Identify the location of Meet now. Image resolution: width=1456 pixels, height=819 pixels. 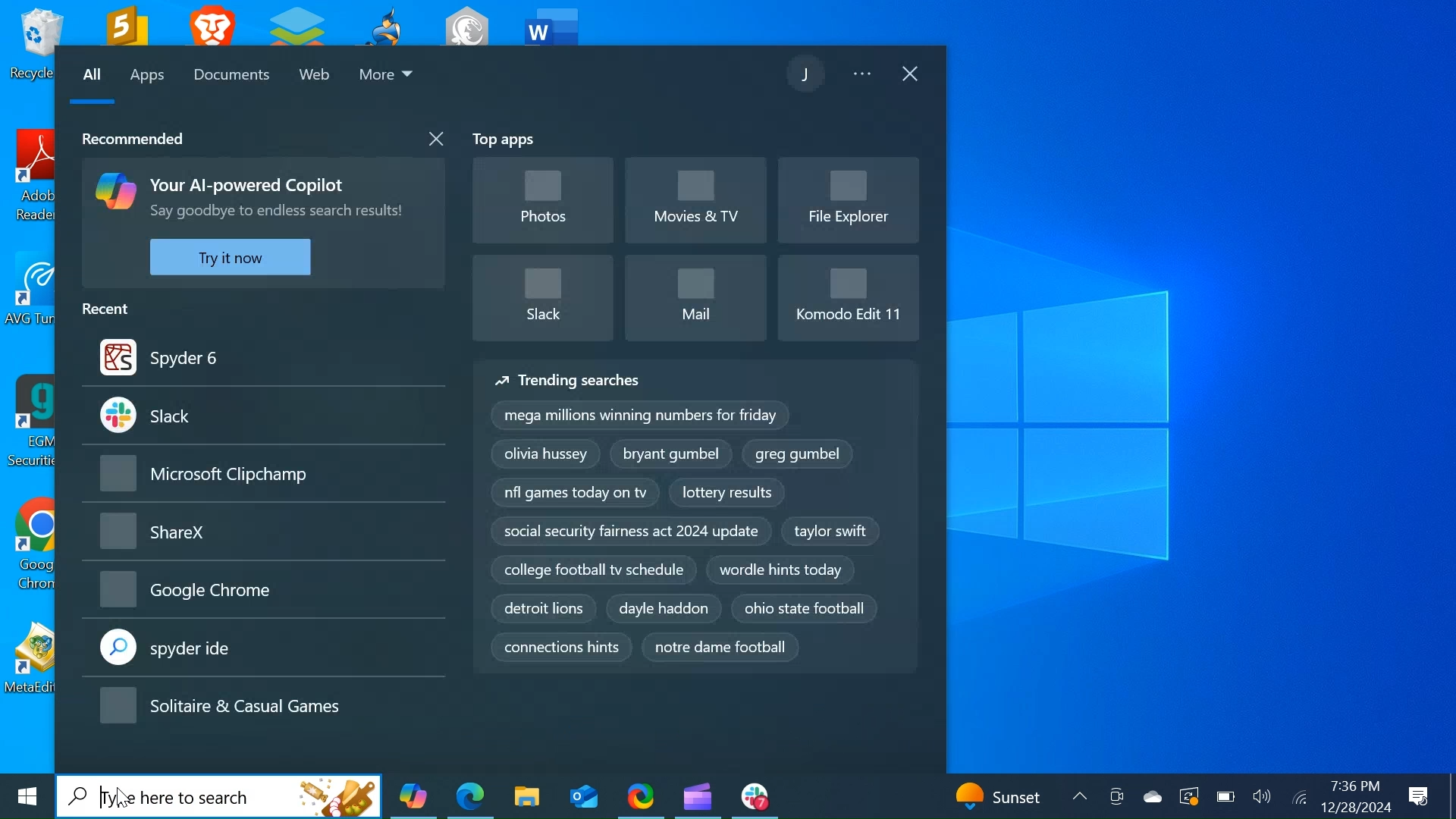
(1116, 798).